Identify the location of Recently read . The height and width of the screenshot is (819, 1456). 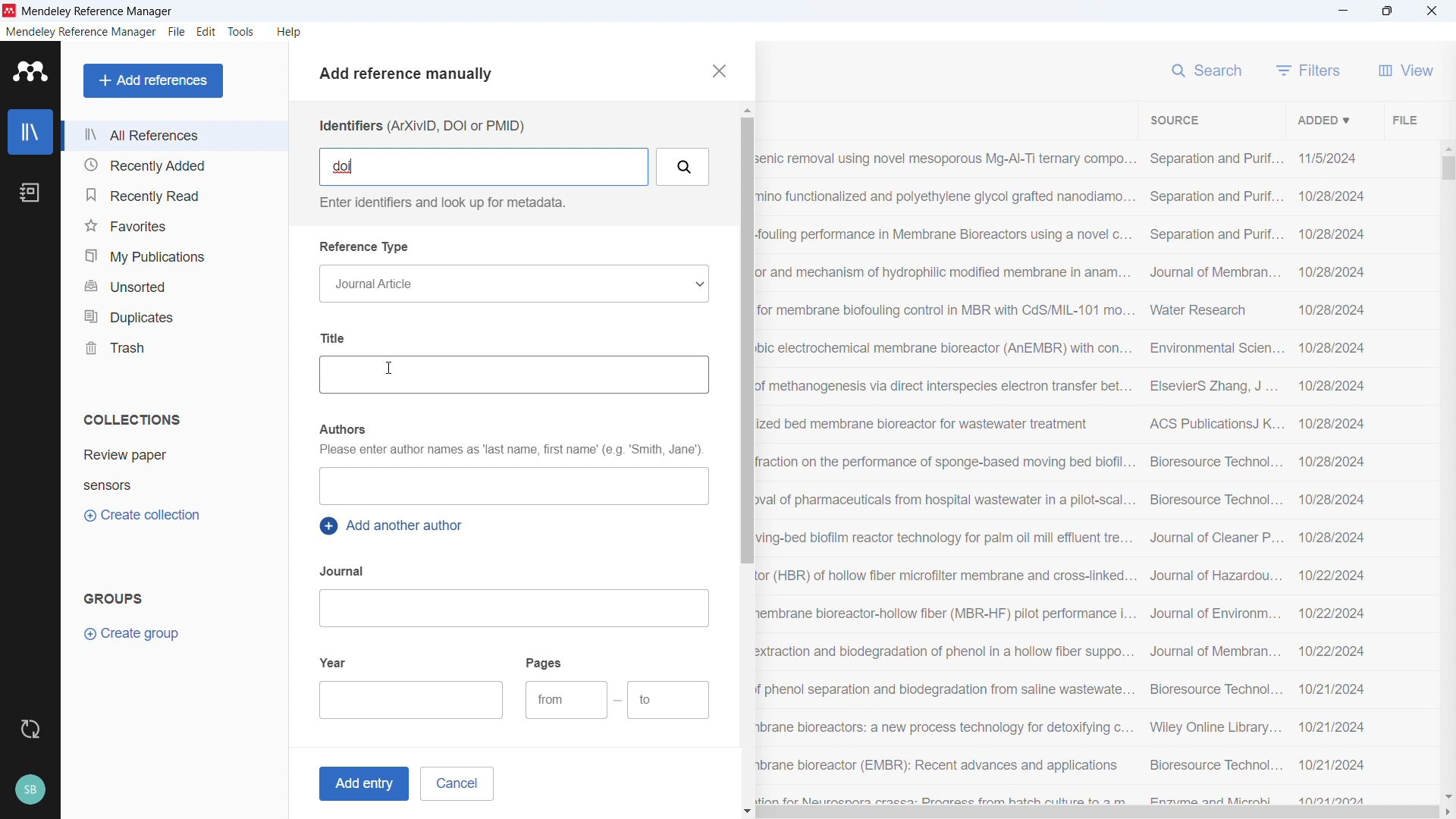
(172, 195).